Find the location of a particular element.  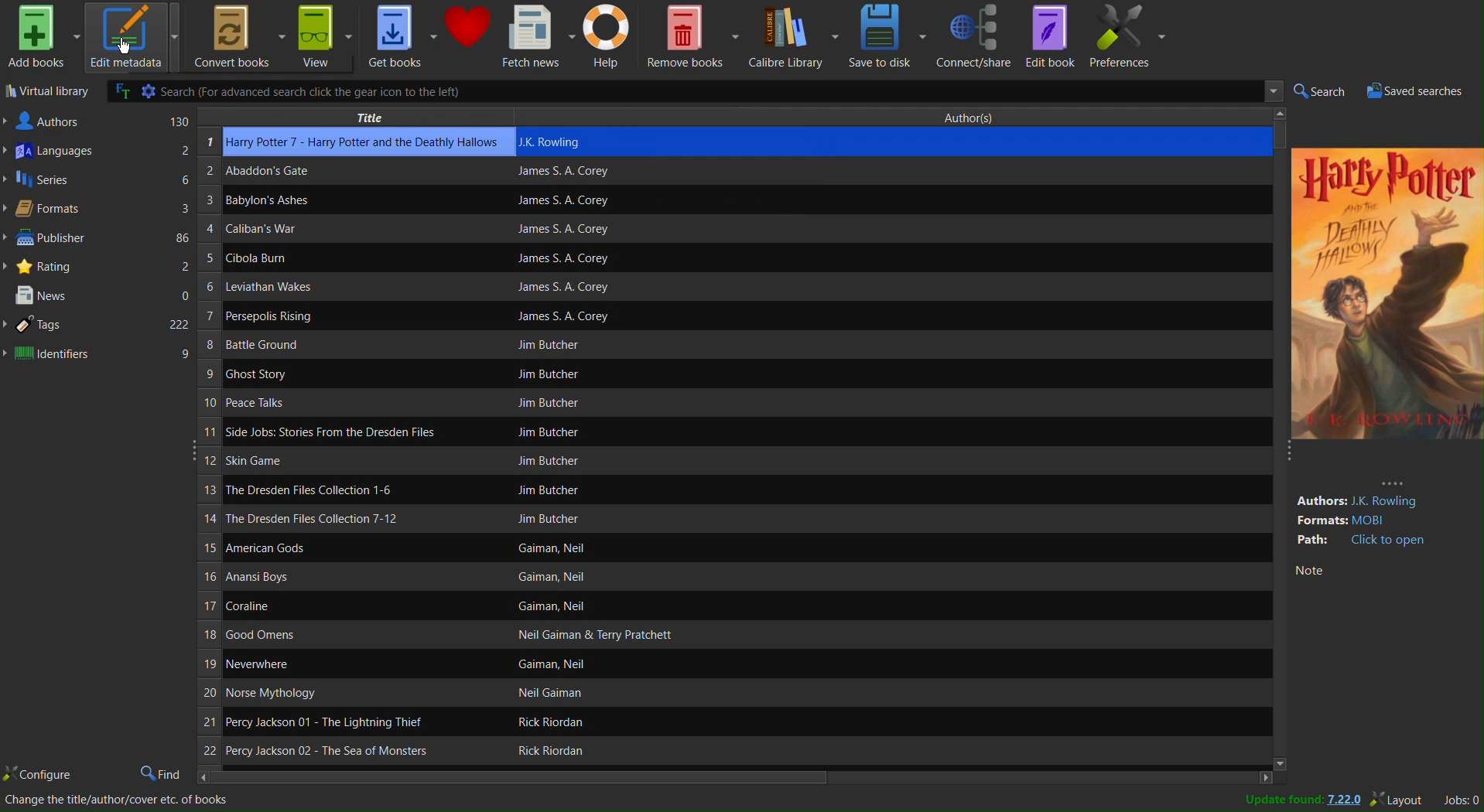

Book name is located at coordinates (342, 517).